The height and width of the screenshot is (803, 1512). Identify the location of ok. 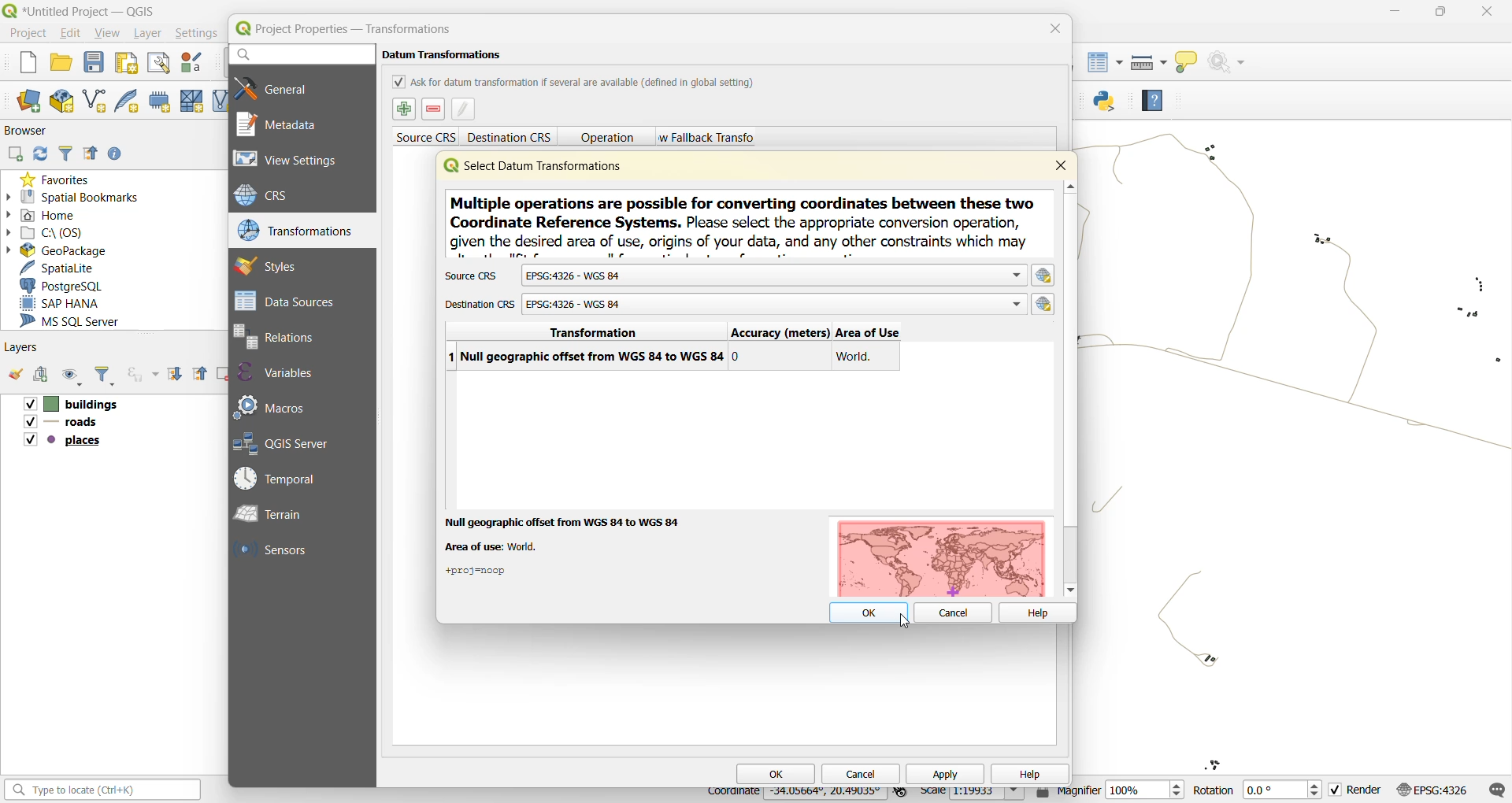
(869, 612).